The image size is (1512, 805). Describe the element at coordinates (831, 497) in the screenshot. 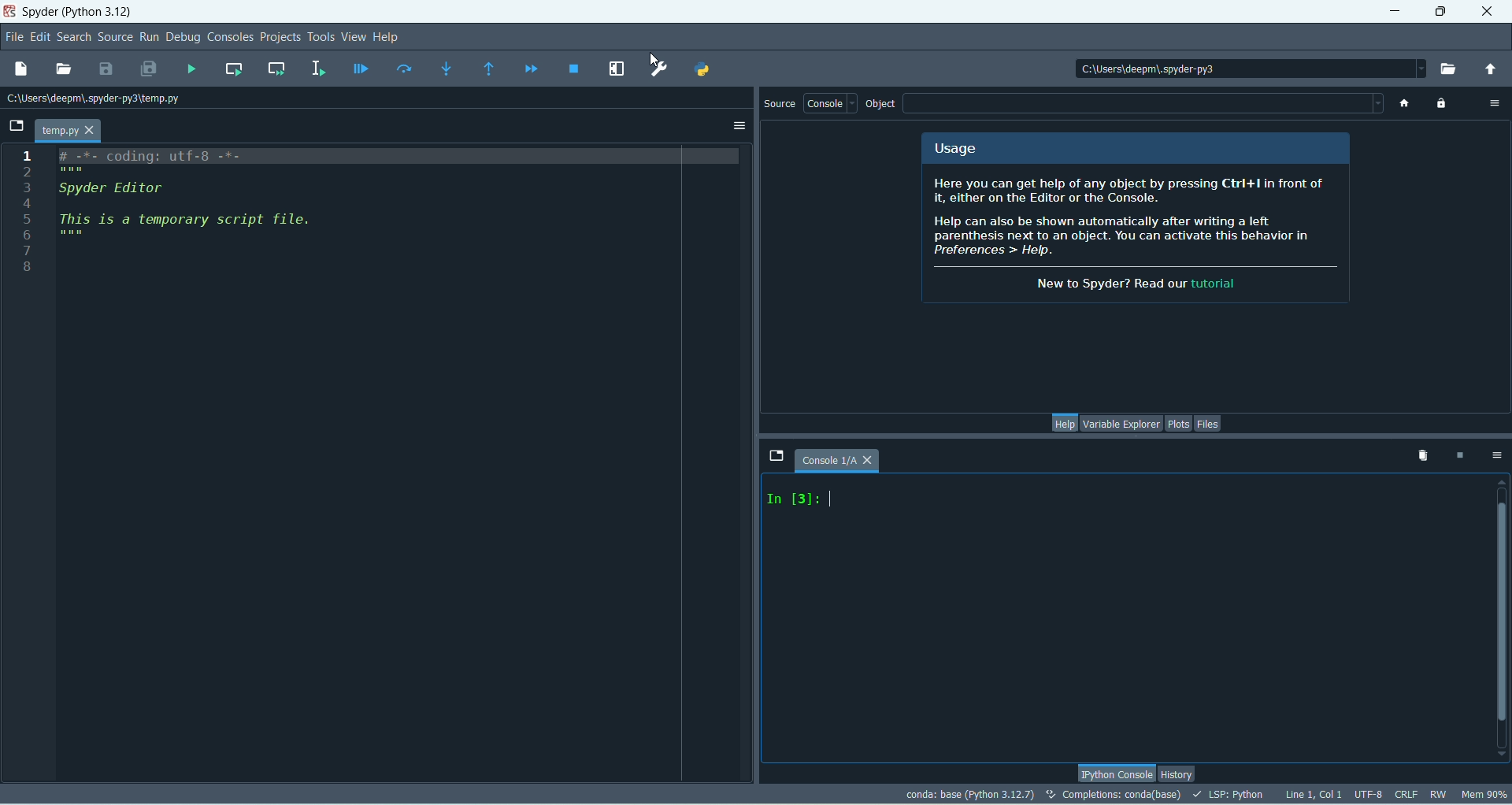

I see `cursor` at that location.